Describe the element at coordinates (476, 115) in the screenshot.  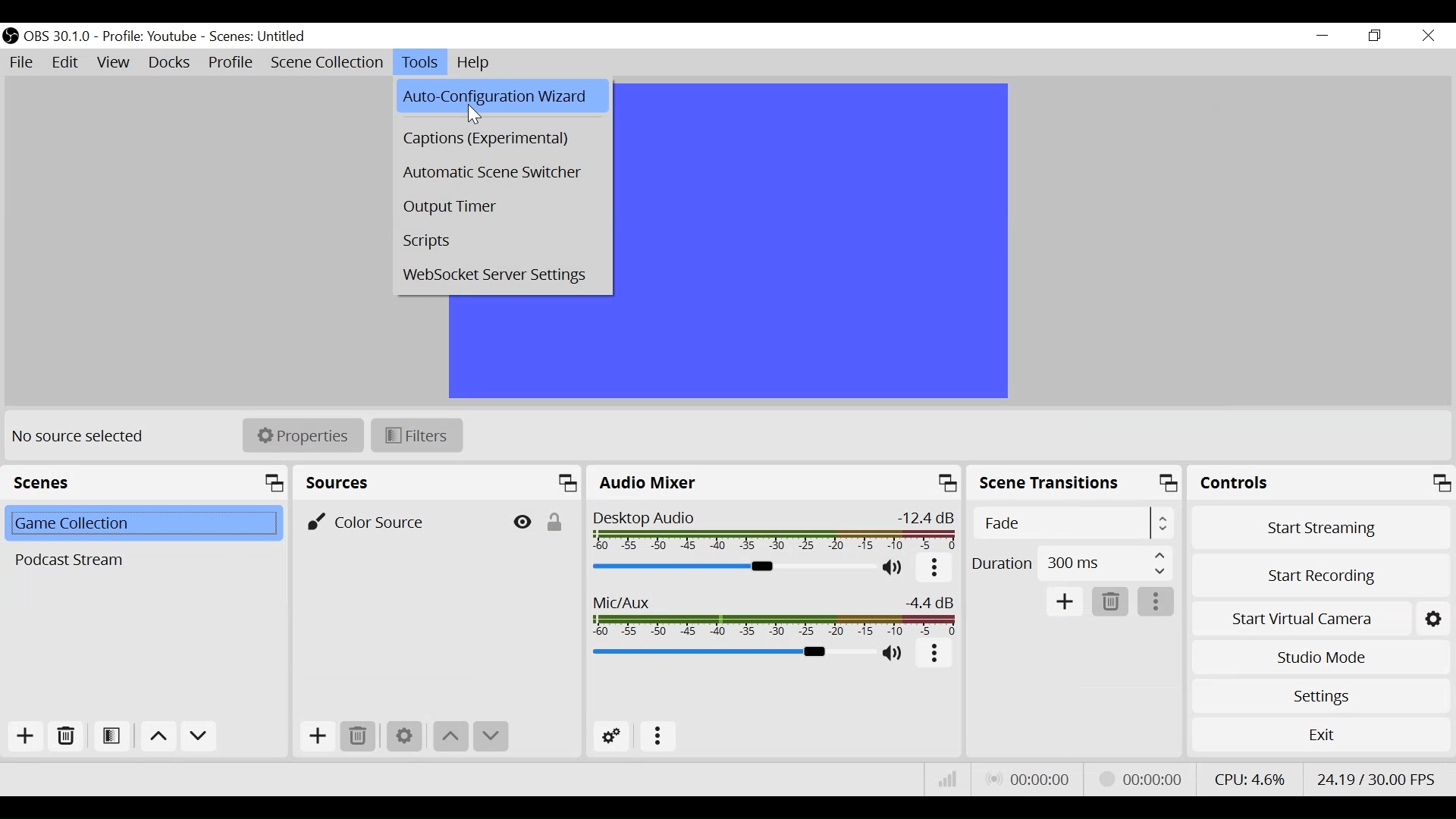
I see `Cursor` at that location.